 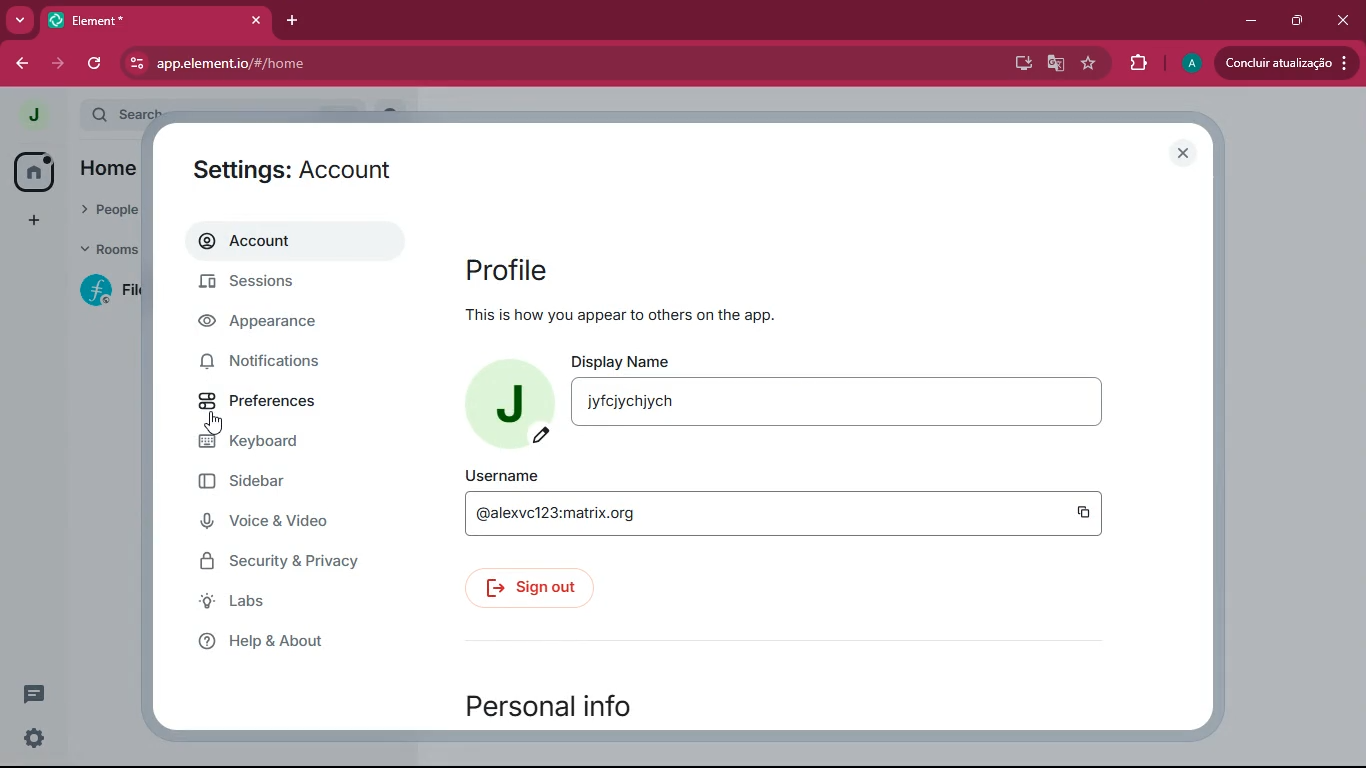 I want to click on keyboard, so click(x=284, y=442).